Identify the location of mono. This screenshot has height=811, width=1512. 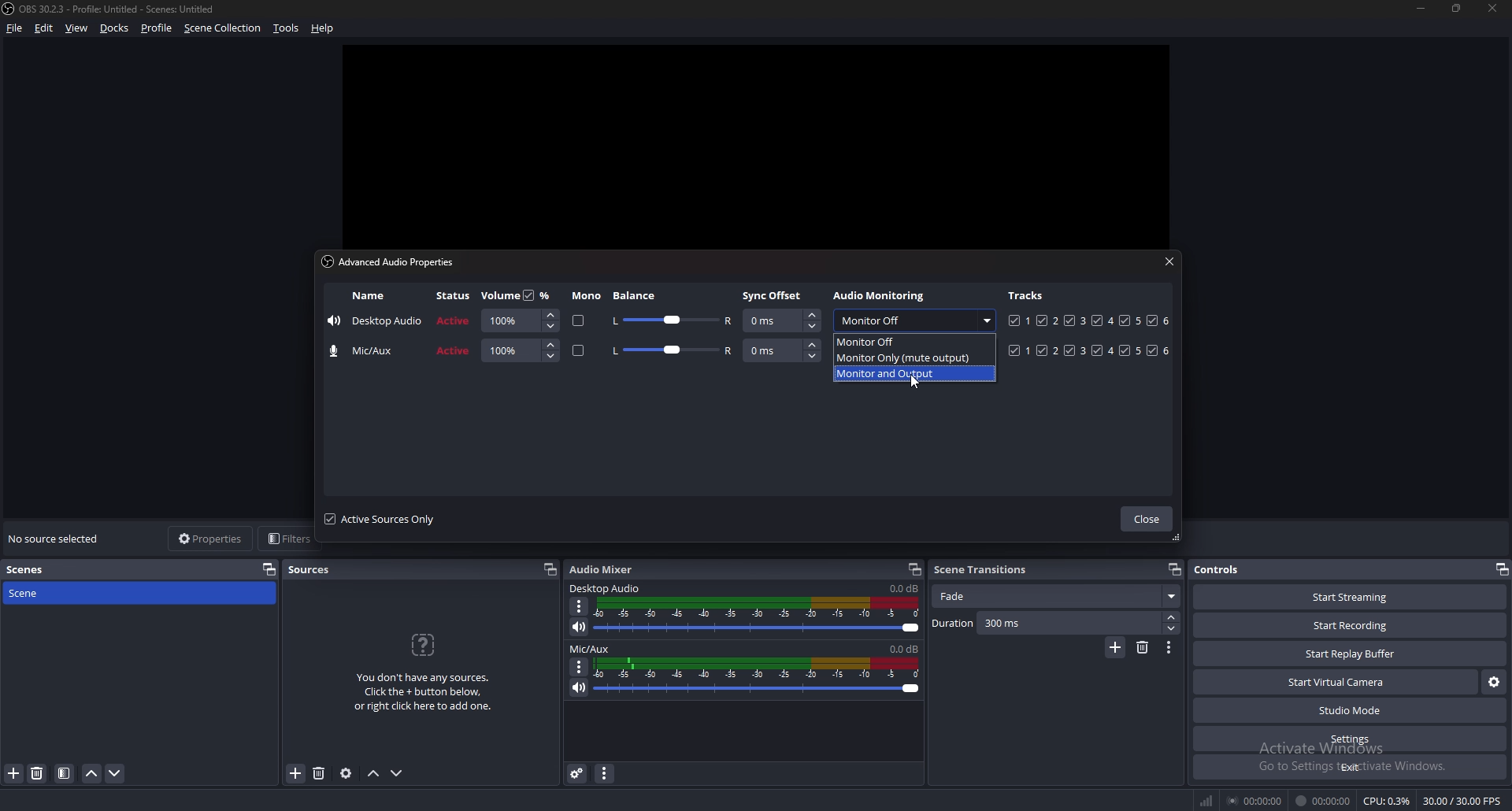
(579, 350).